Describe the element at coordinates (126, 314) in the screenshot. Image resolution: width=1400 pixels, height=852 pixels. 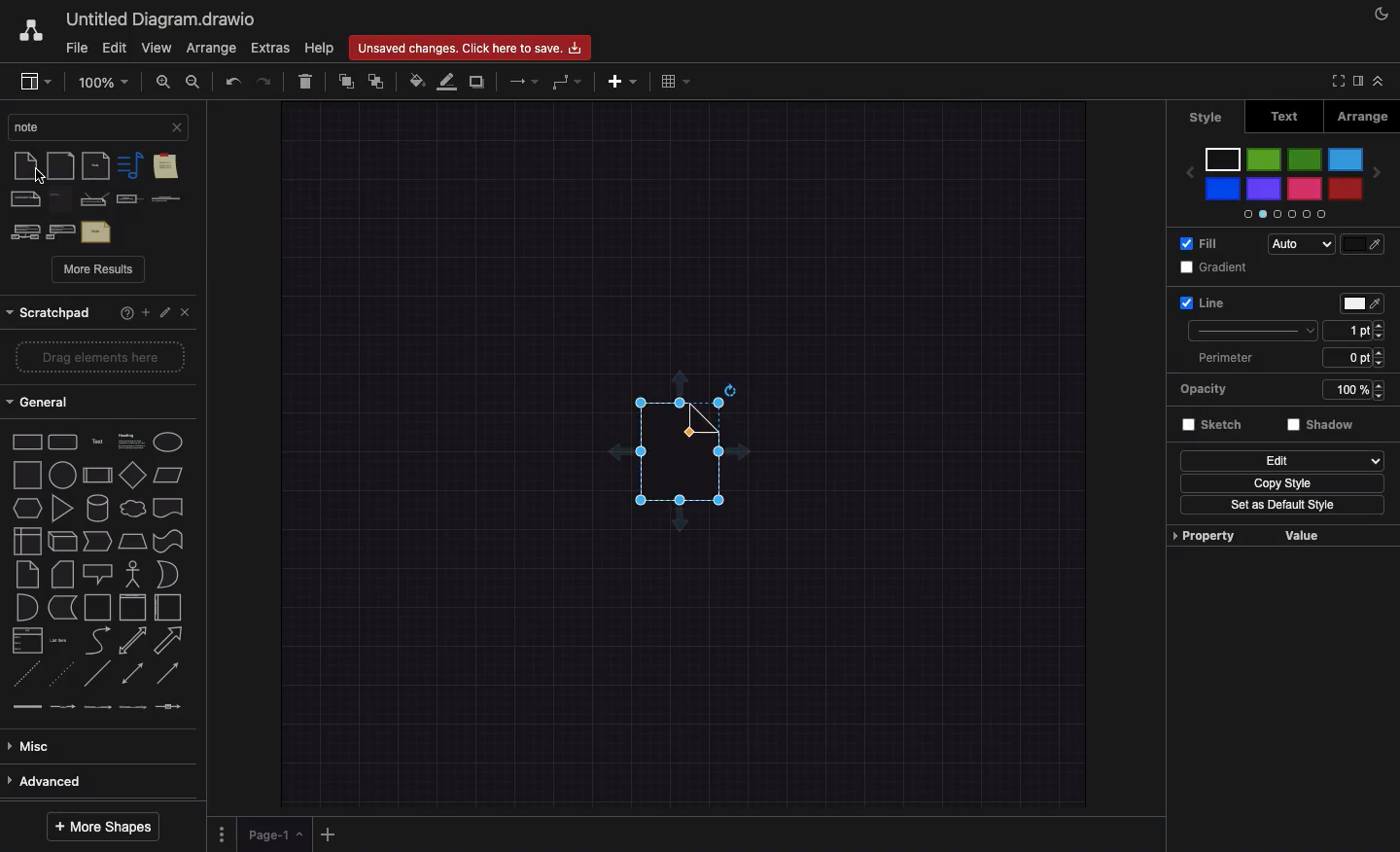
I see `Help` at that location.